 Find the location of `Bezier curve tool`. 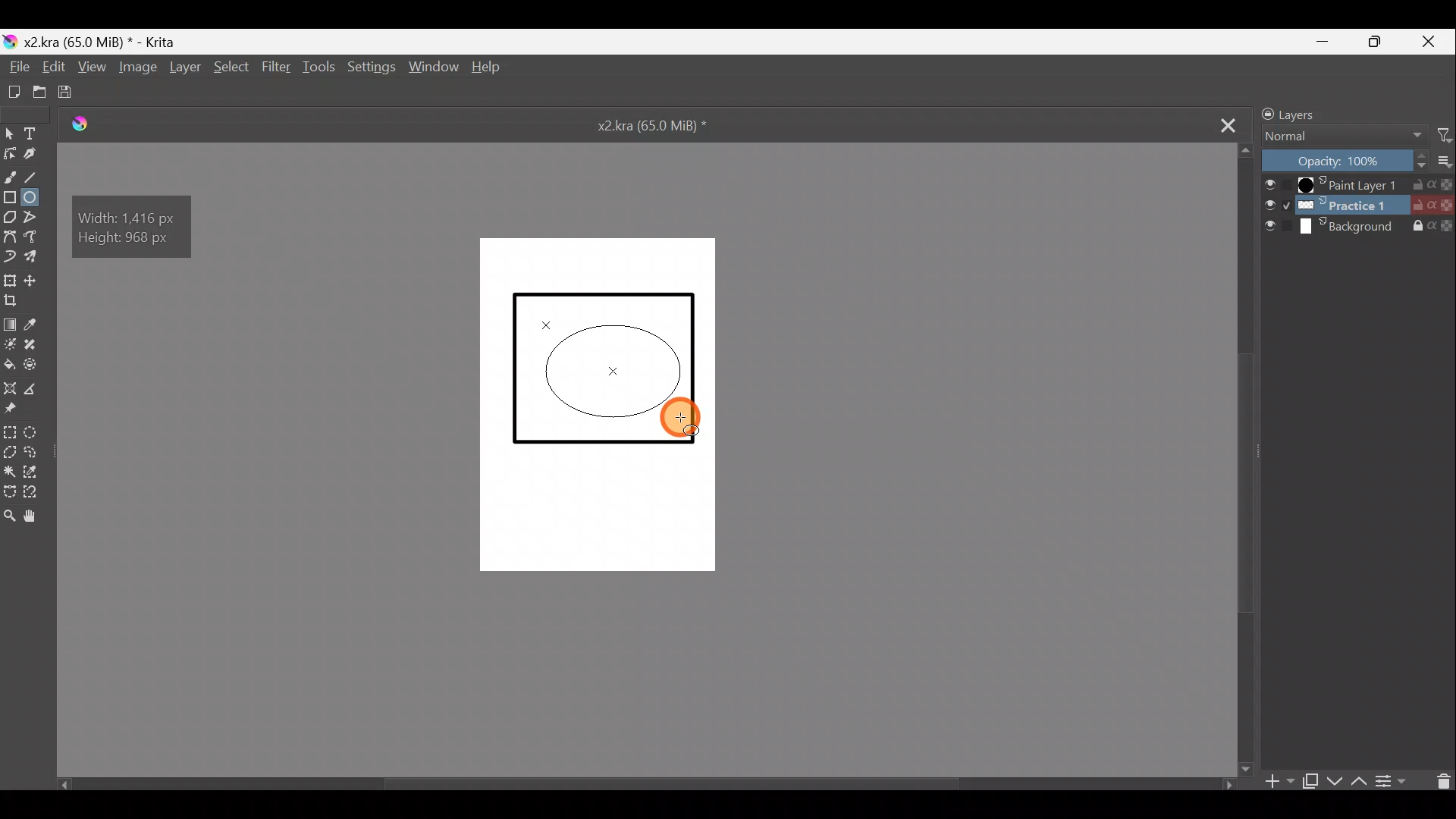

Bezier curve tool is located at coordinates (11, 237).